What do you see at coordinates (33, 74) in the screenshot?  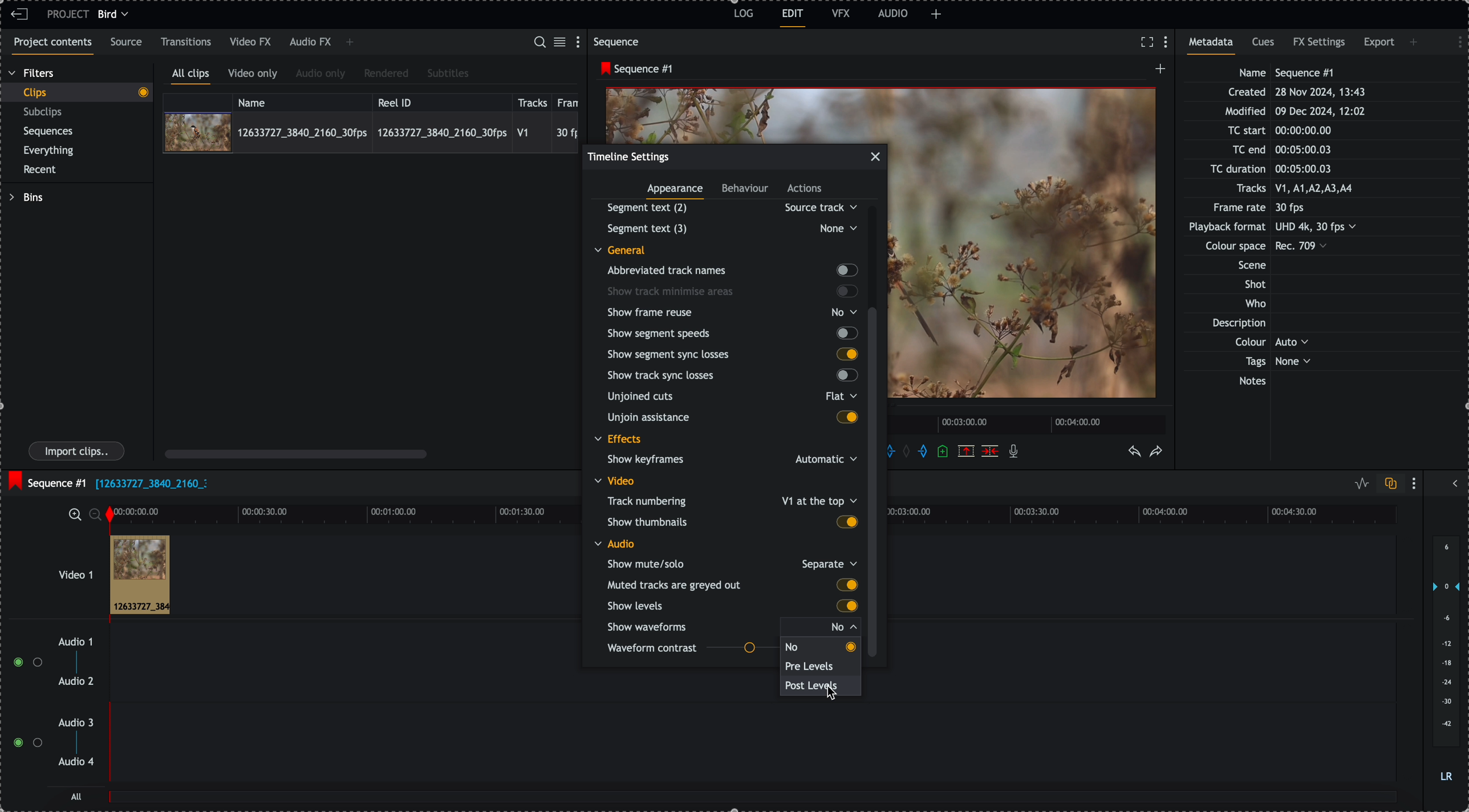 I see `filters` at bounding box center [33, 74].